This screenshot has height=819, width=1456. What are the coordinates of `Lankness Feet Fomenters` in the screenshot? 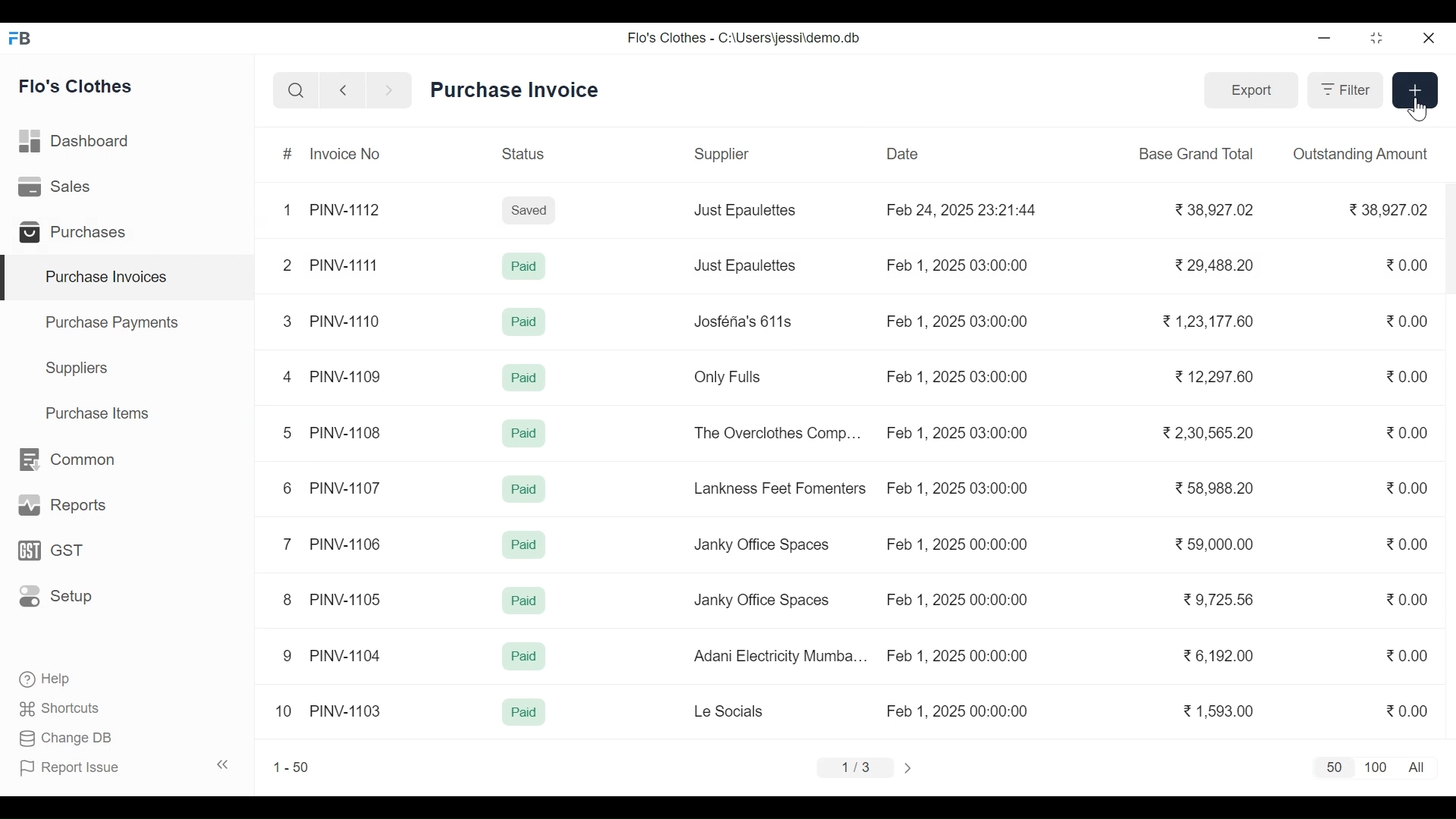 It's located at (780, 488).